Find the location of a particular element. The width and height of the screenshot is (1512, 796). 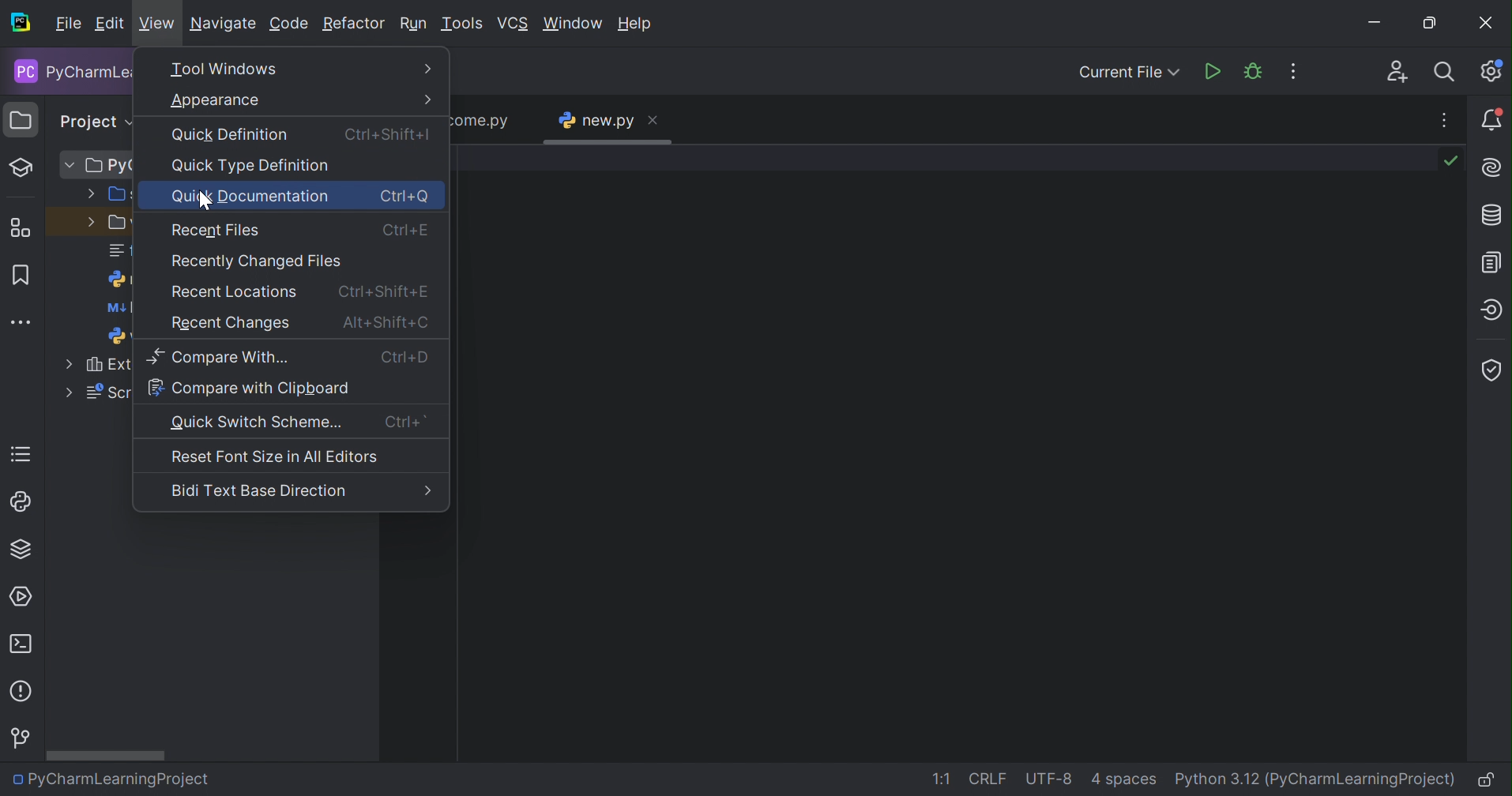

new.py is located at coordinates (117, 280).